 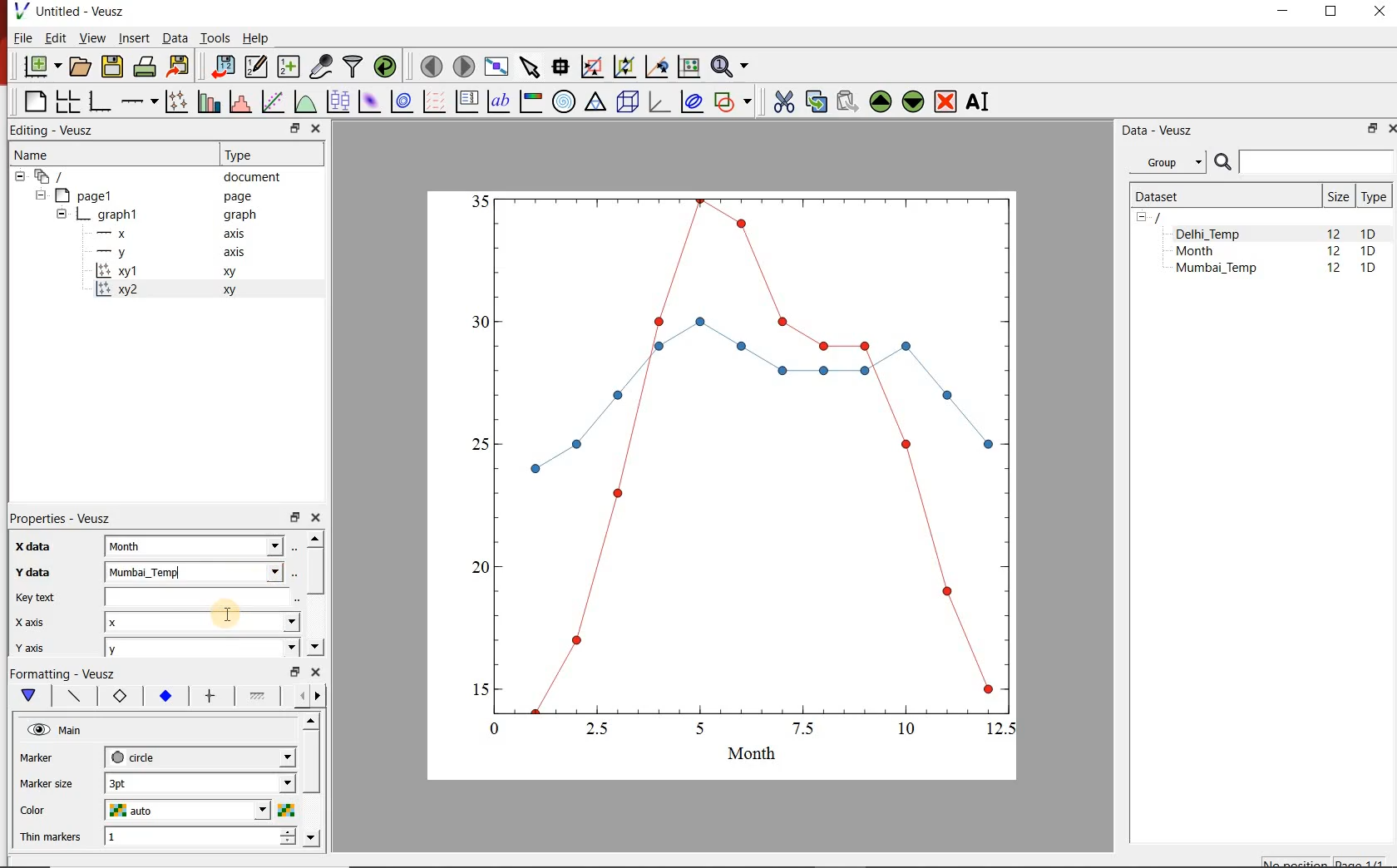 What do you see at coordinates (531, 101) in the screenshot?
I see `image color bar` at bounding box center [531, 101].